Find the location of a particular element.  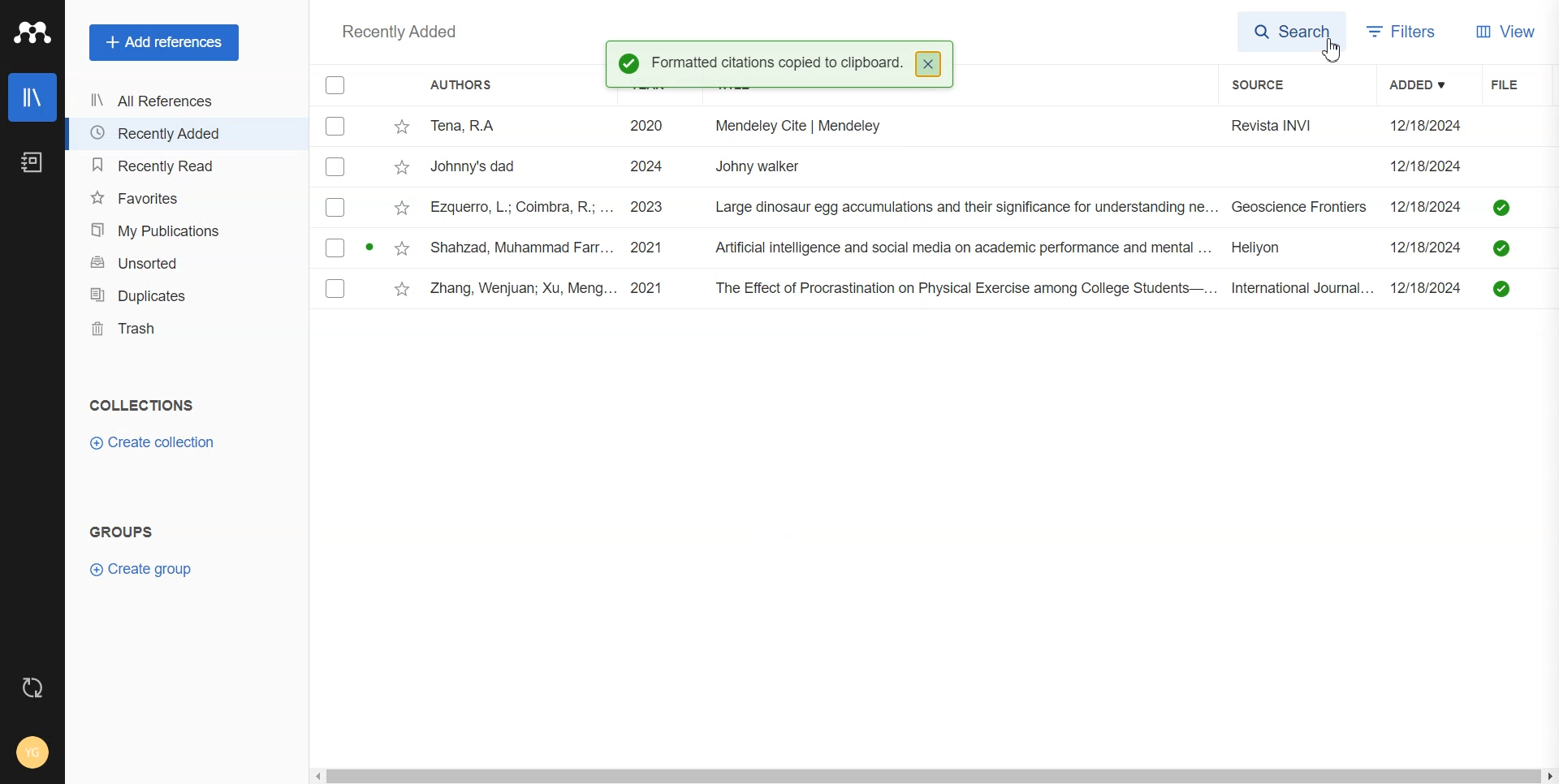

Star is located at coordinates (403, 166).